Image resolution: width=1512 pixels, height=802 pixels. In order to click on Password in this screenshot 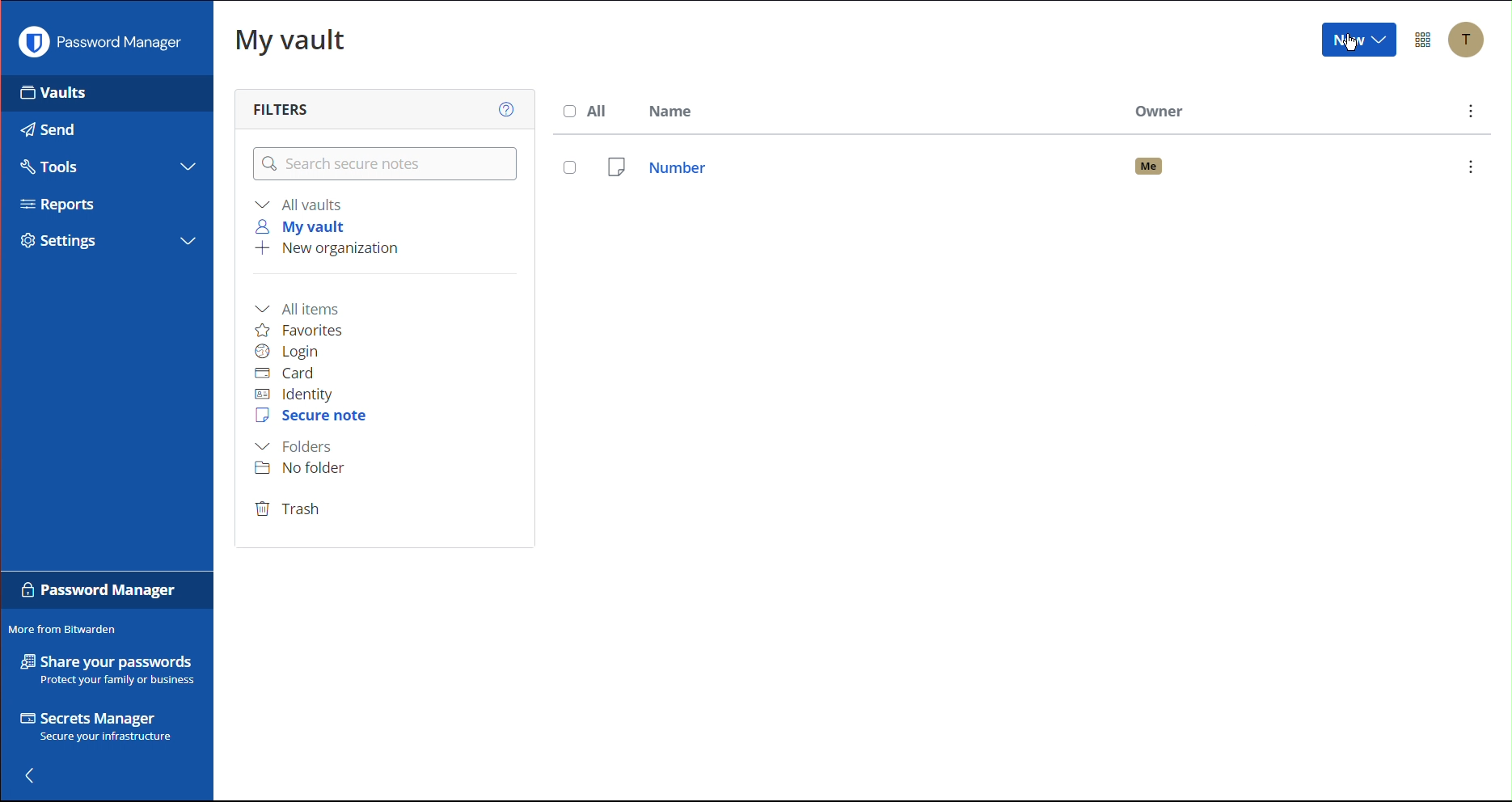, I will do `click(99, 593)`.